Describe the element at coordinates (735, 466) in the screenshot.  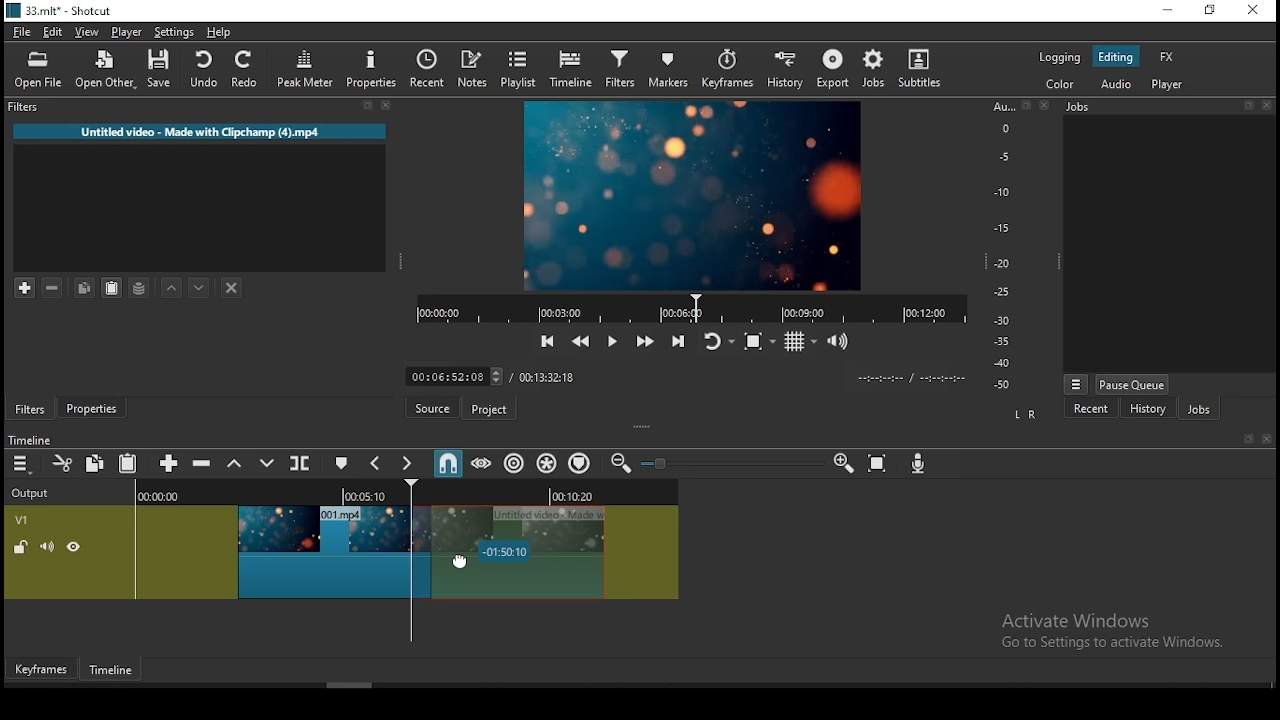
I see `zoom in or zoom out slider` at that location.